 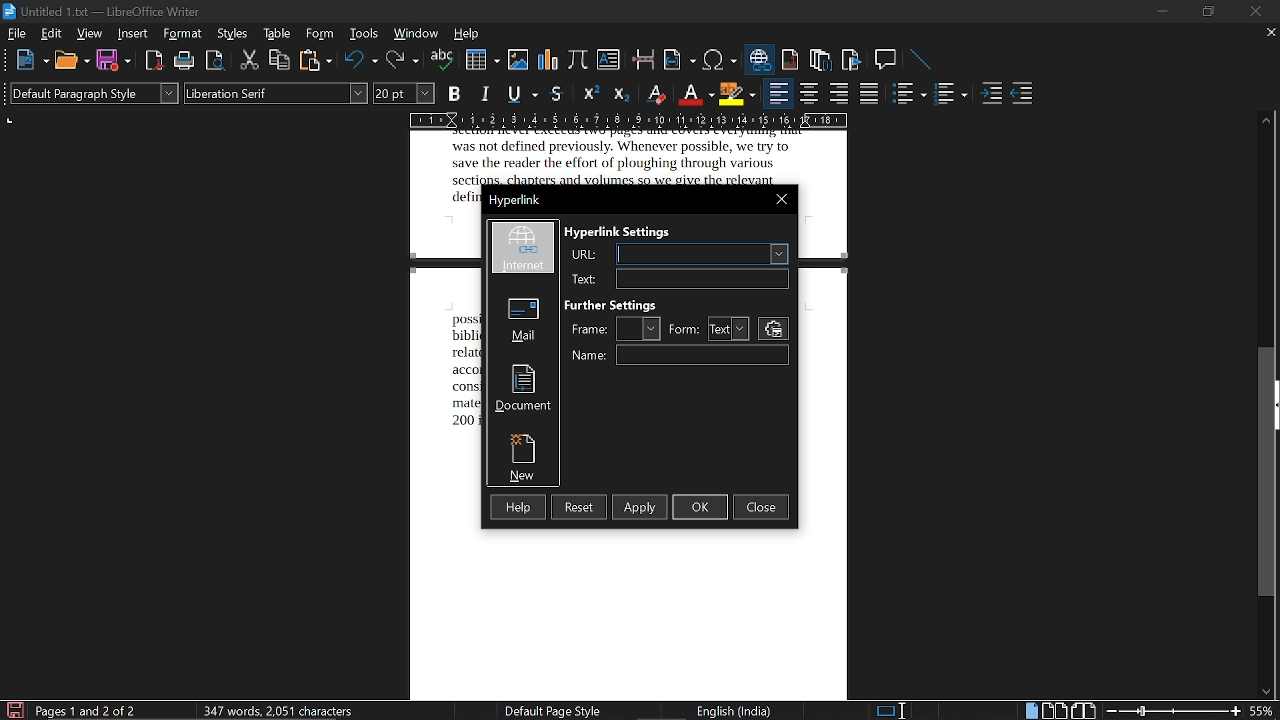 What do you see at coordinates (1267, 693) in the screenshot?
I see `move down` at bounding box center [1267, 693].